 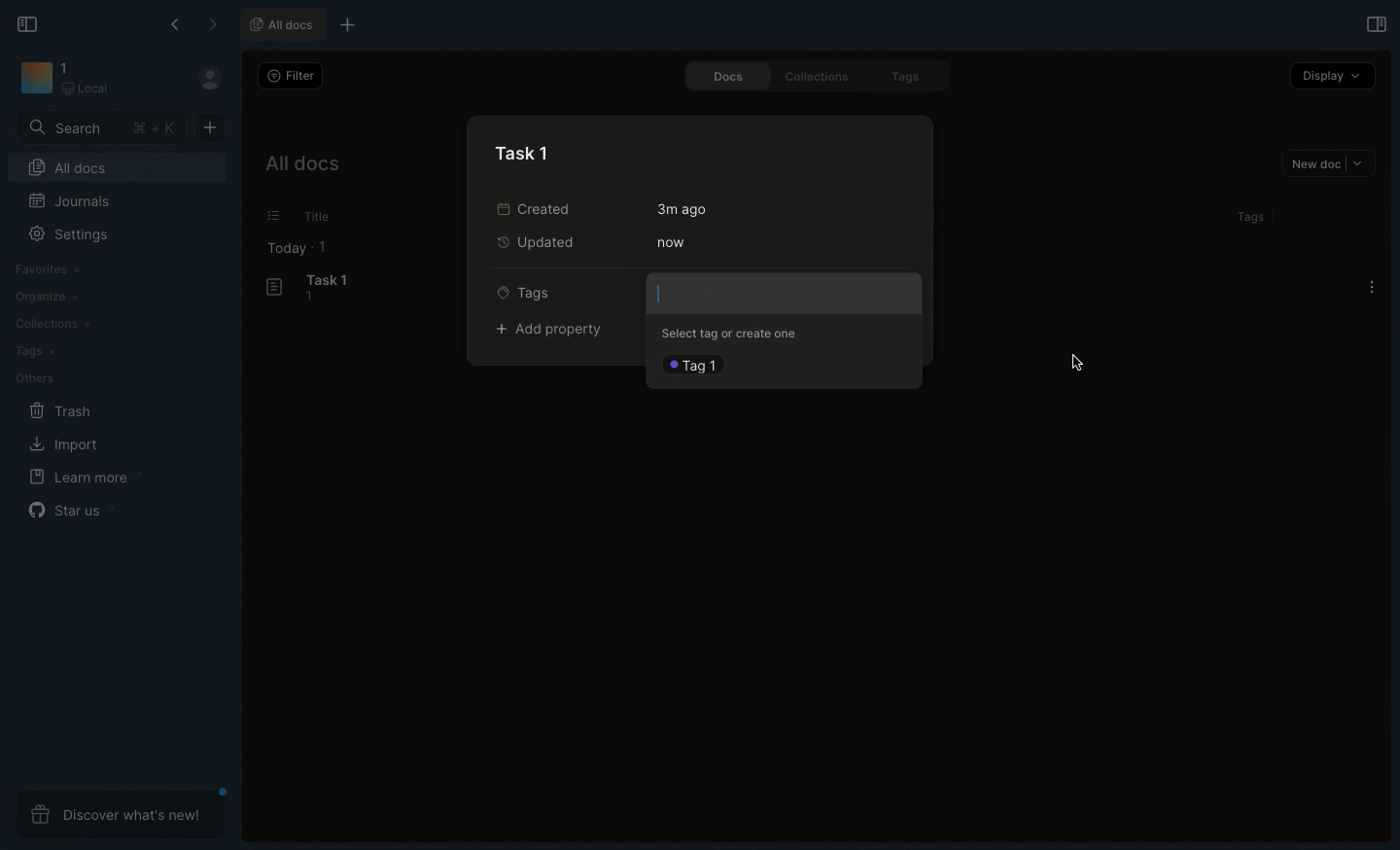 I want to click on Journals, so click(x=65, y=199).